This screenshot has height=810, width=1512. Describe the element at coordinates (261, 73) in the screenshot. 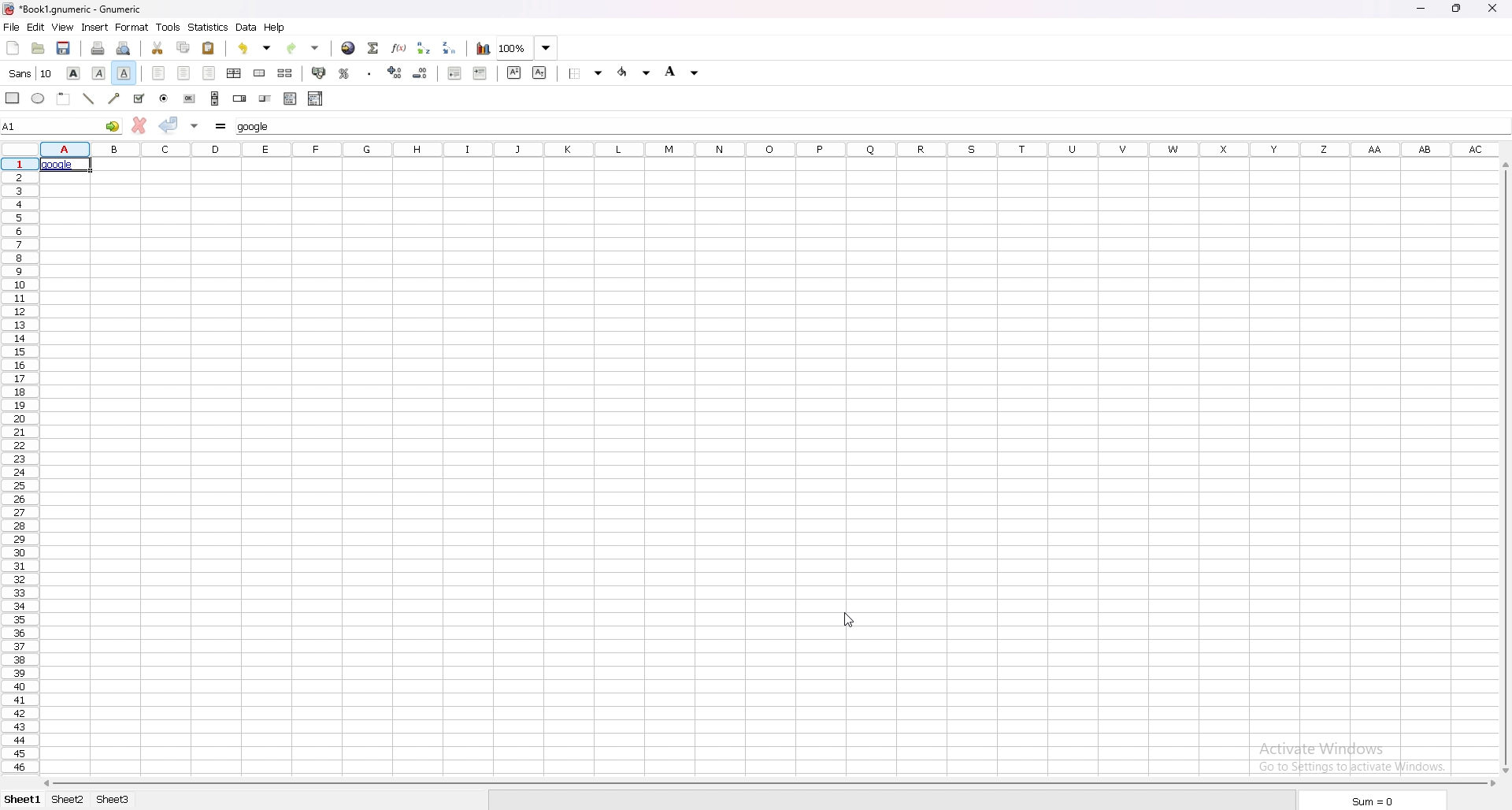

I see `merge cell` at that location.